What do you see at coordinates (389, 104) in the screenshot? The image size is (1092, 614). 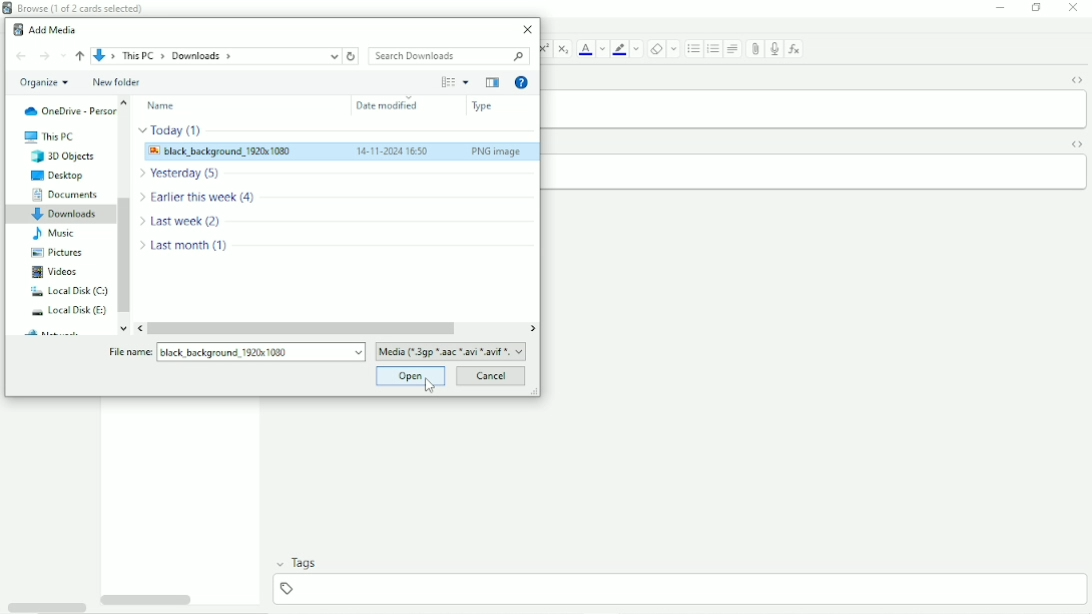 I see `Date modified` at bounding box center [389, 104].